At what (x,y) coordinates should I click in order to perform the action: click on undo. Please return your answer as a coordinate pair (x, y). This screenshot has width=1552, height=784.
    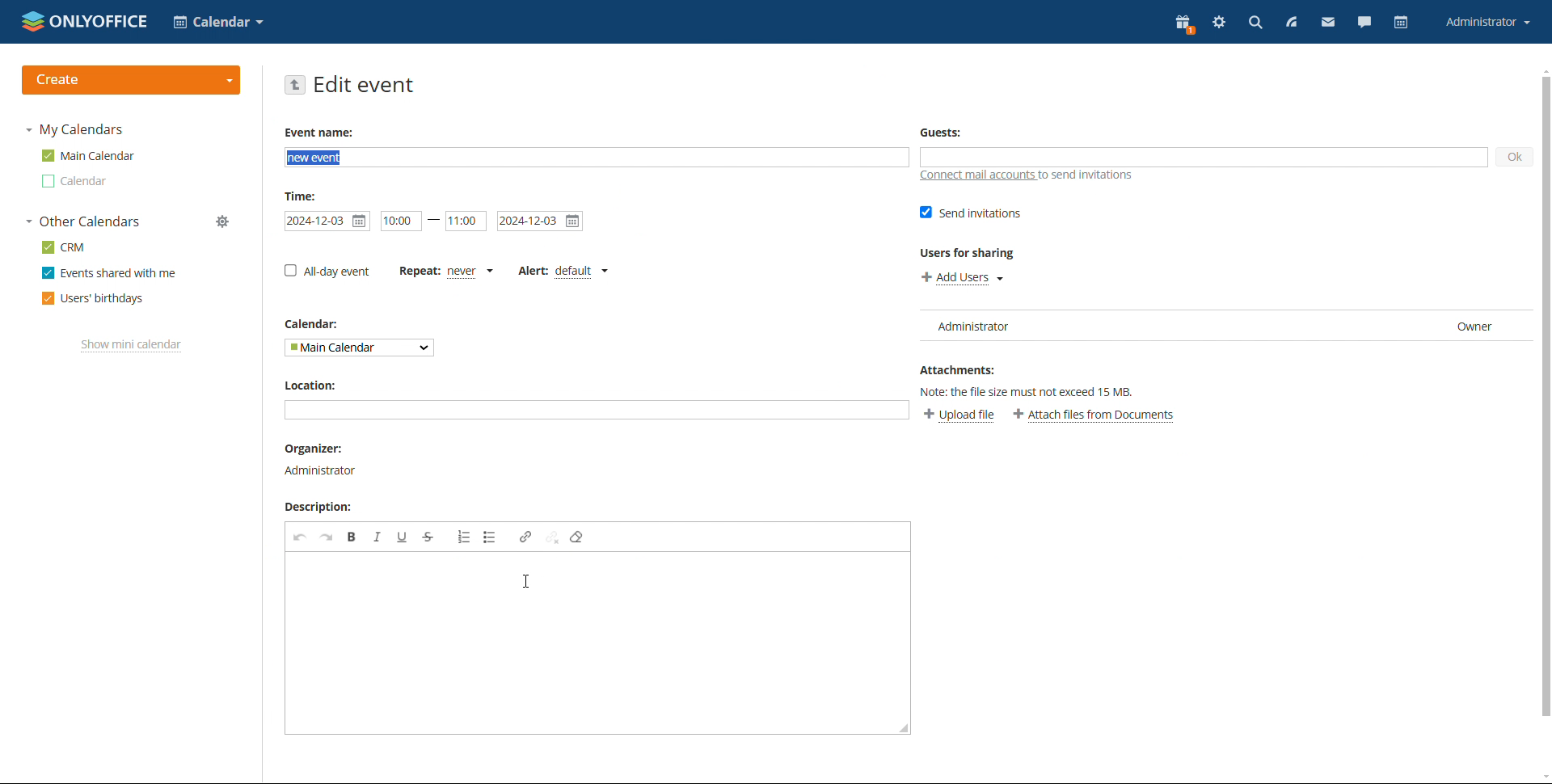
    Looking at the image, I should click on (300, 537).